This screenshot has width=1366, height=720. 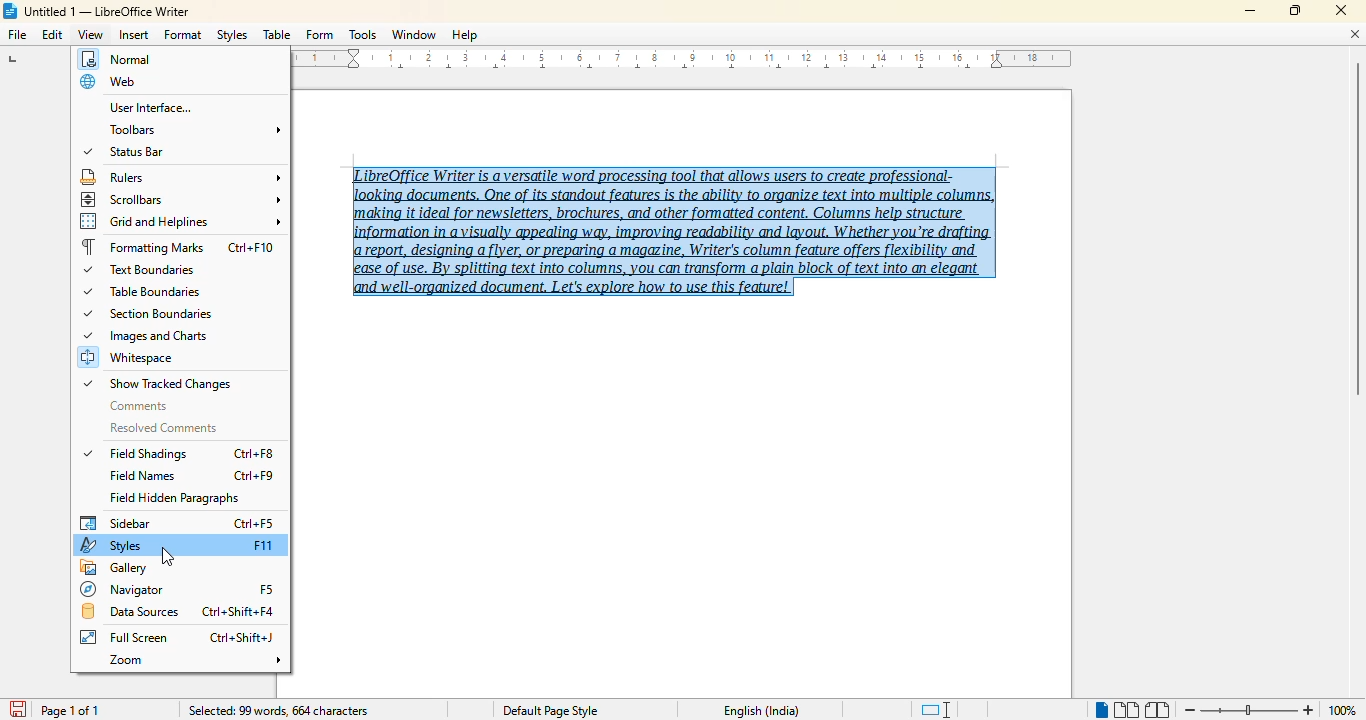 I want to click on single page view, so click(x=1097, y=710).